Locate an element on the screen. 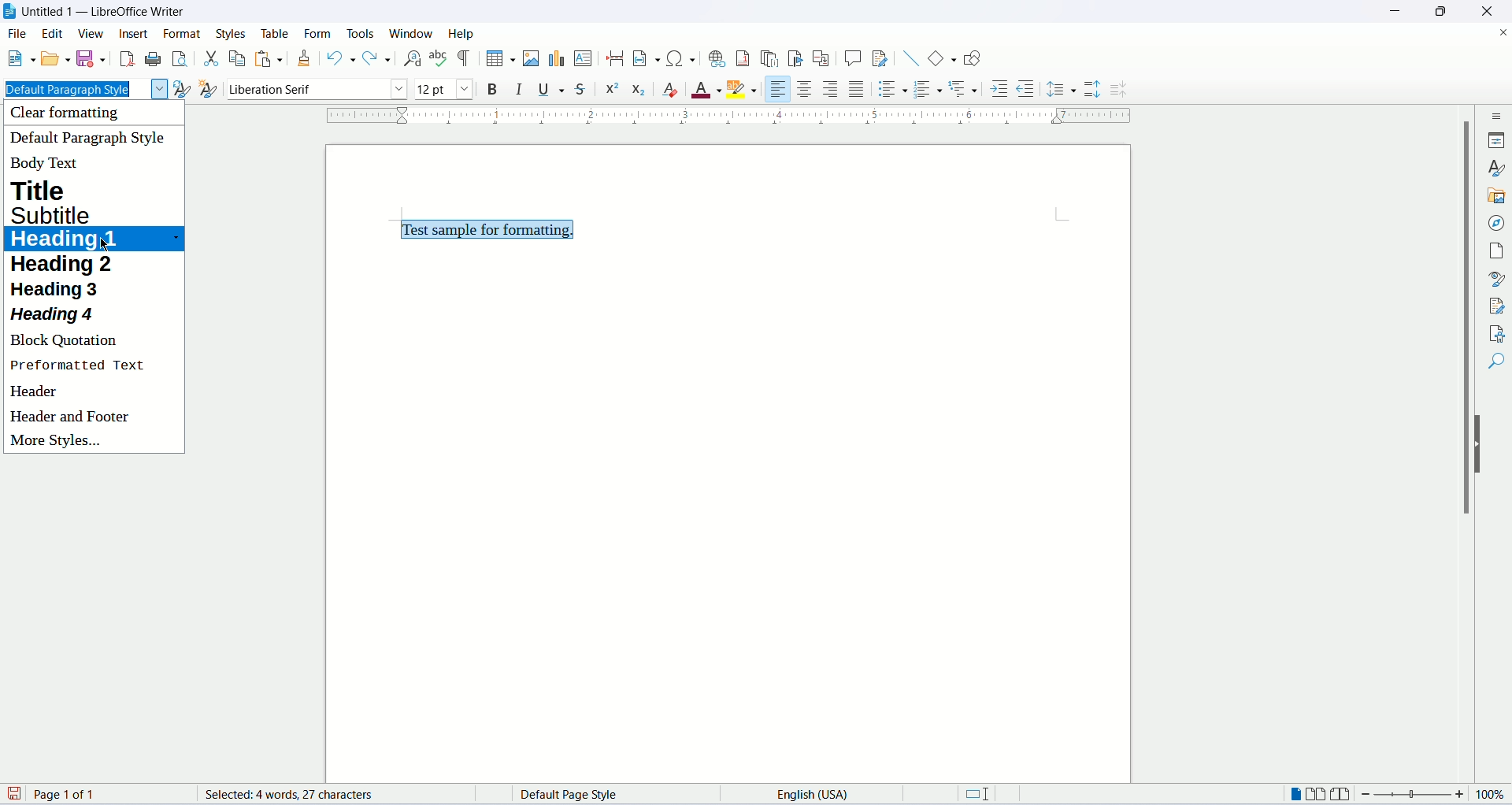  increase indent is located at coordinates (999, 91).